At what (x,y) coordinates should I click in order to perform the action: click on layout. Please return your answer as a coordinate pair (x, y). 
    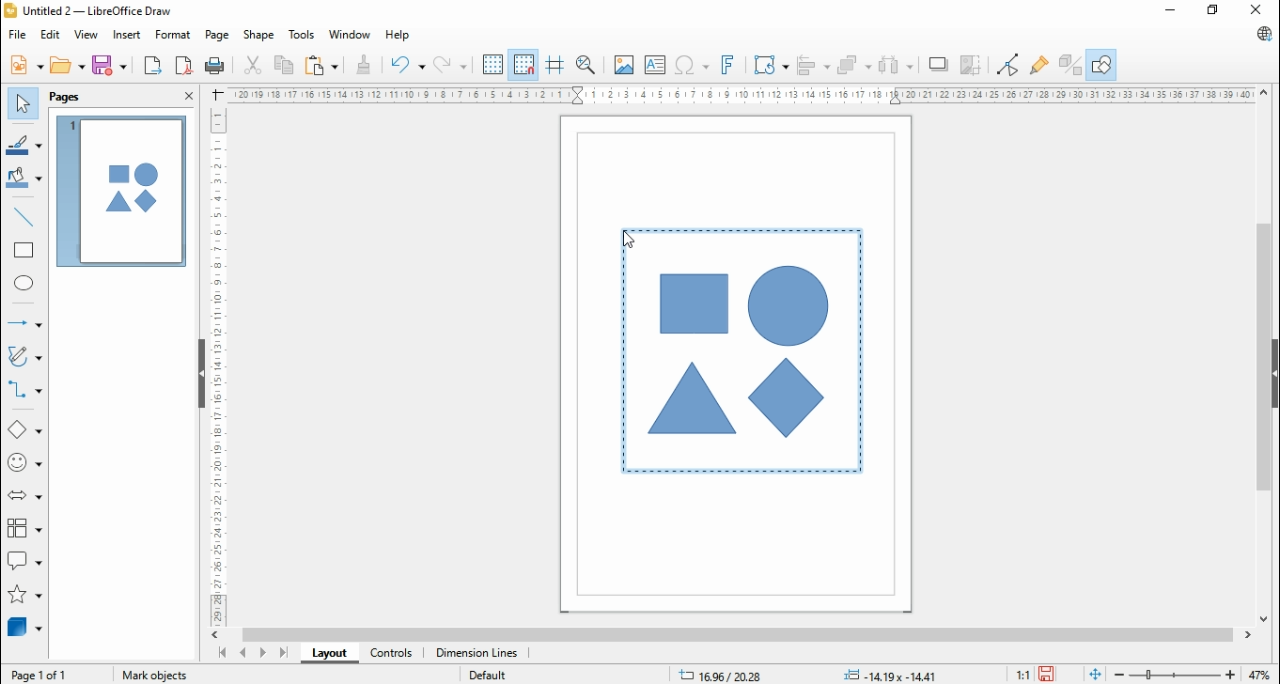
    Looking at the image, I should click on (325, 654).